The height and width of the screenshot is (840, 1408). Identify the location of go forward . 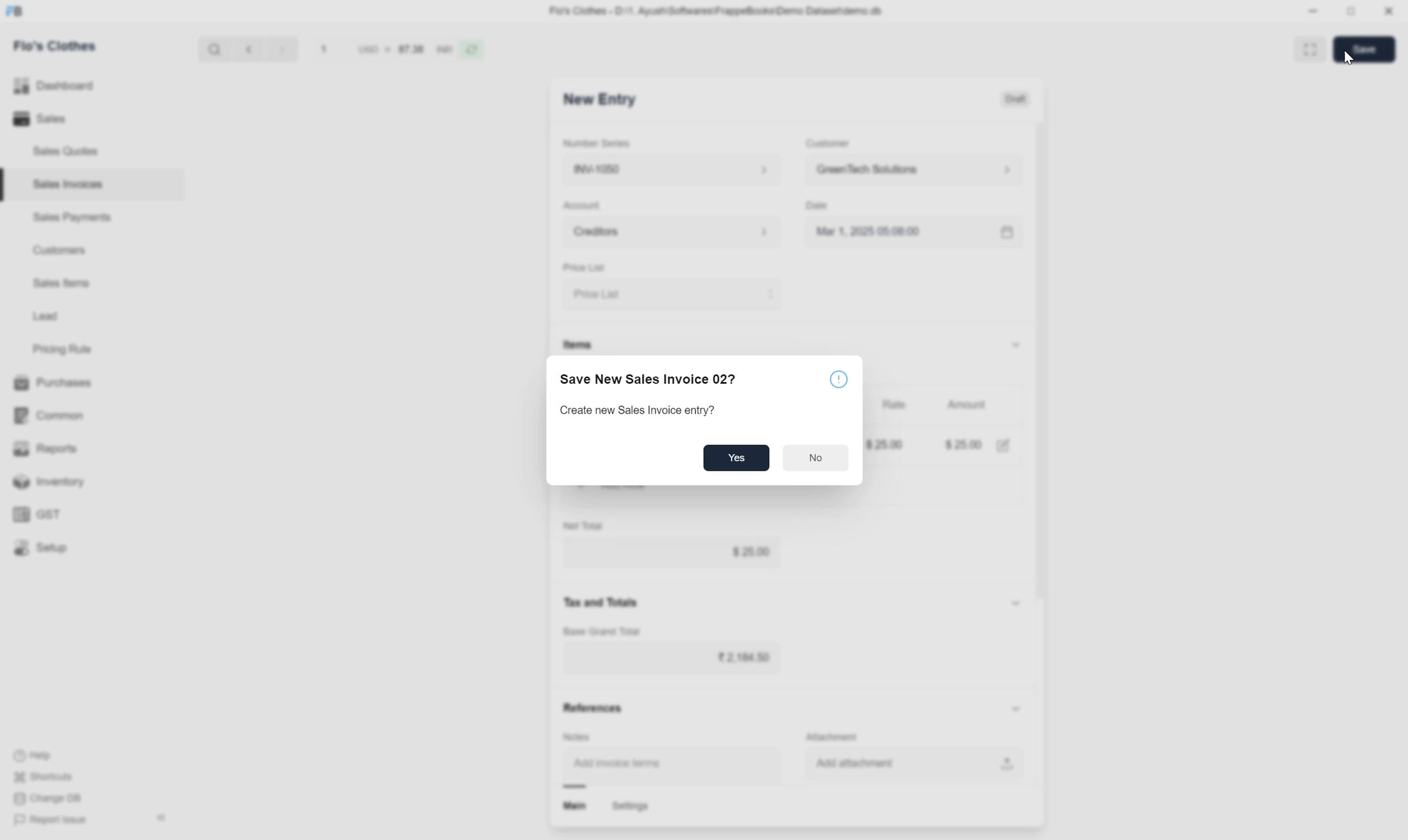
(279, 52).